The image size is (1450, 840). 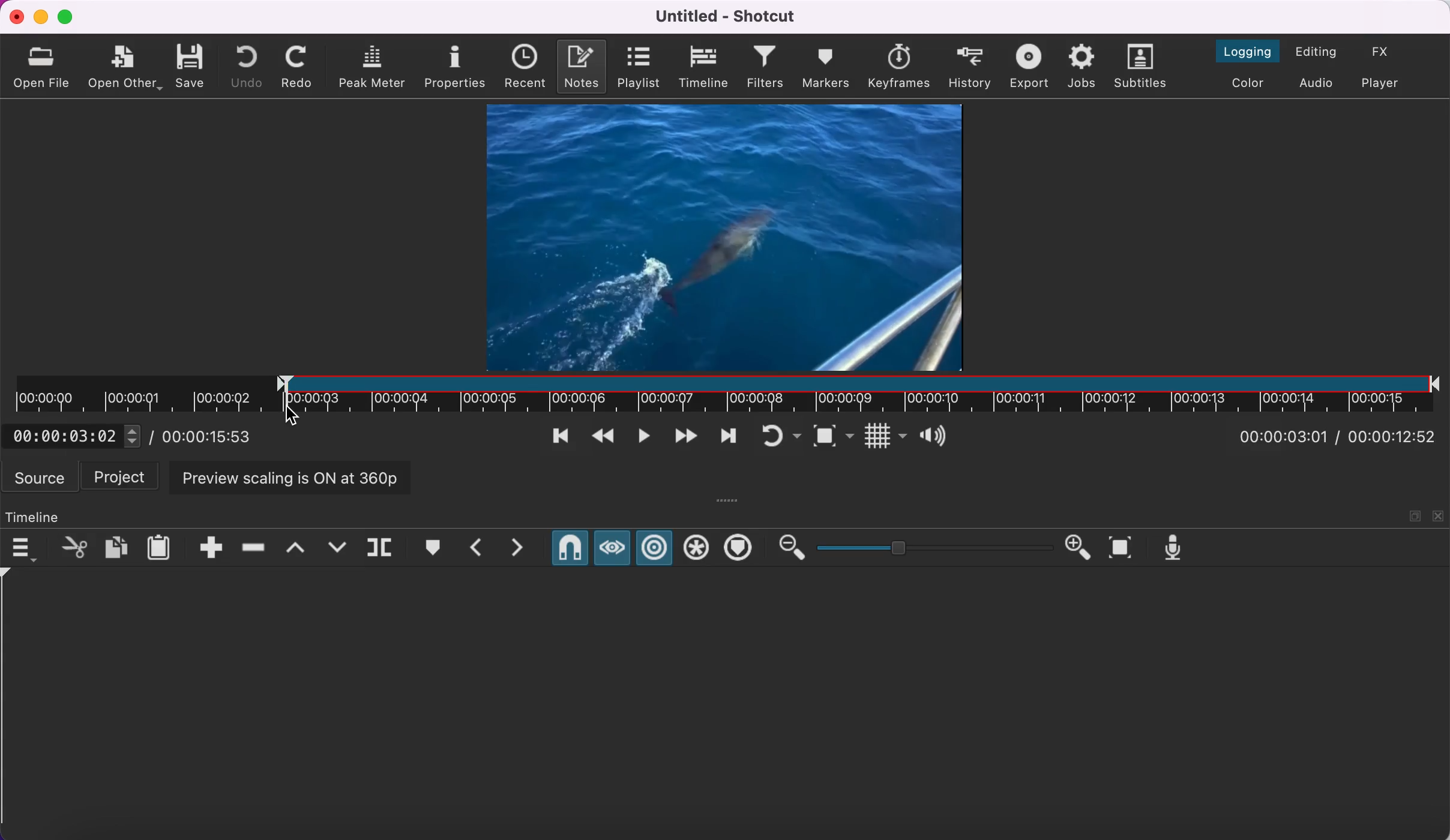 I want to click on minimize, so click(x=41, y=17).